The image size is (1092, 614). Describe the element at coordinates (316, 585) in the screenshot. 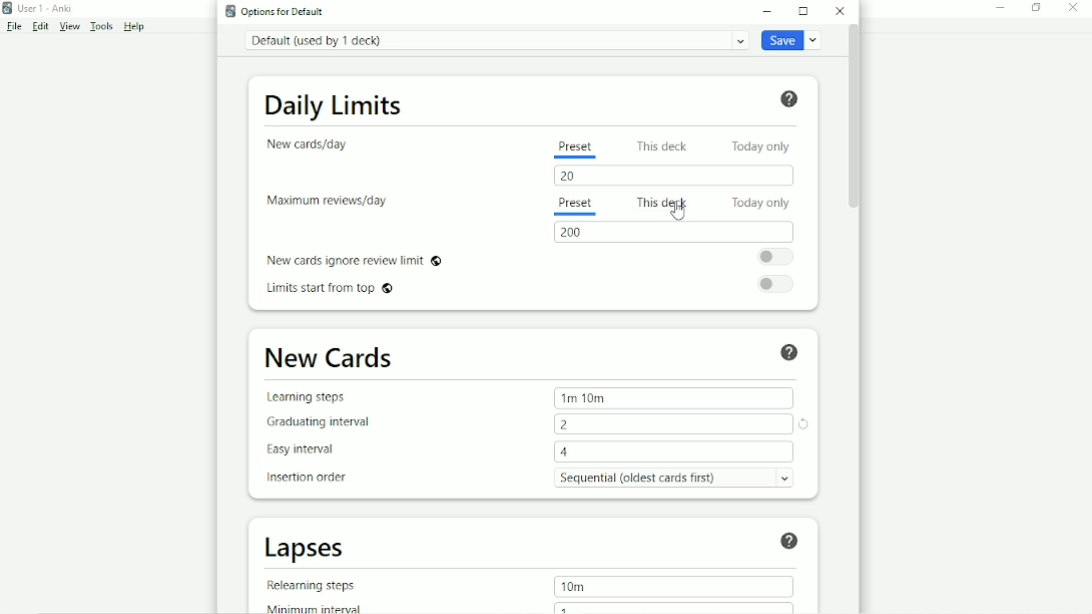

I see `Relearning steps` at that location.